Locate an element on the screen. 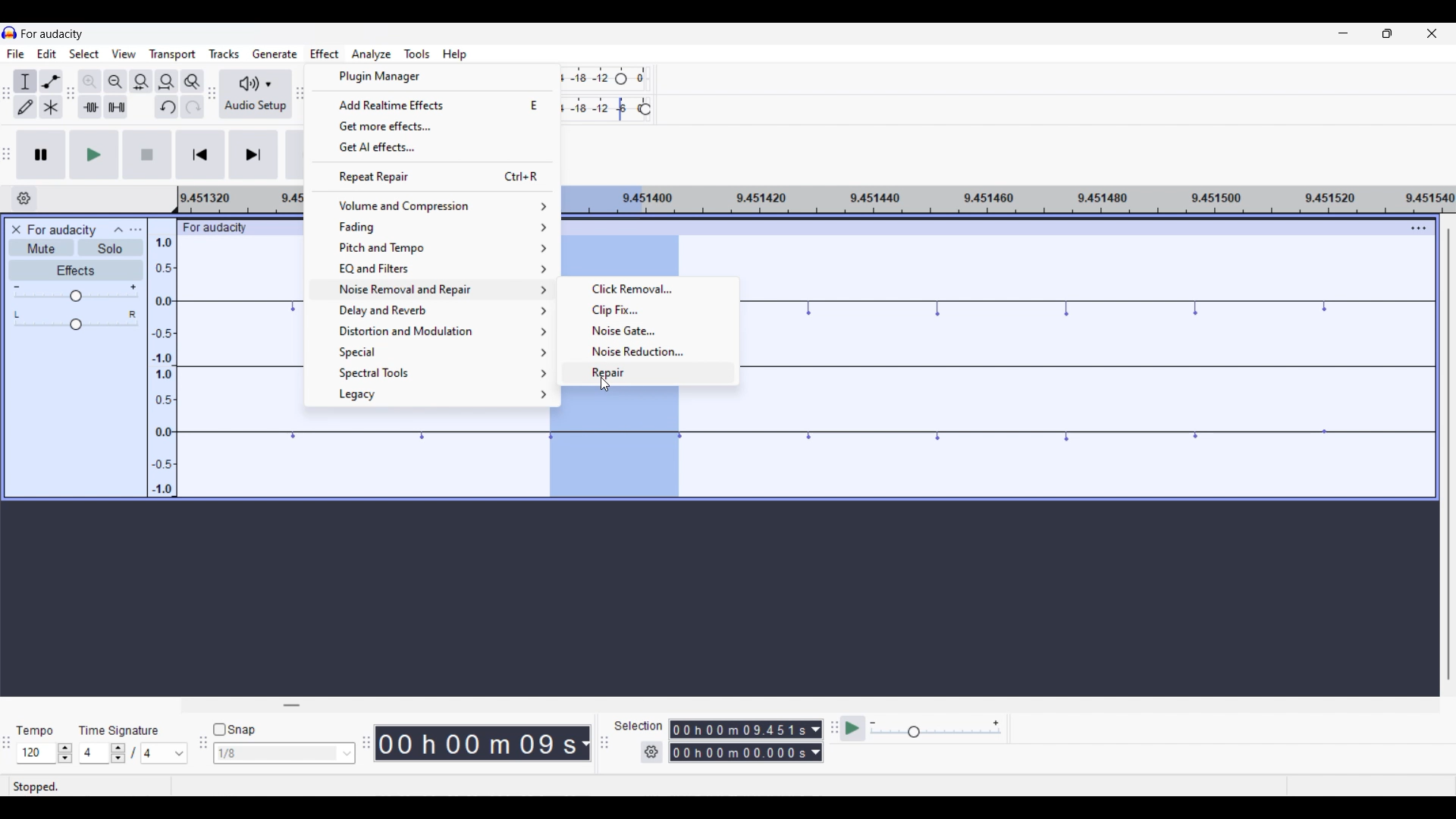  Stop is located at coordinates (148, 155).